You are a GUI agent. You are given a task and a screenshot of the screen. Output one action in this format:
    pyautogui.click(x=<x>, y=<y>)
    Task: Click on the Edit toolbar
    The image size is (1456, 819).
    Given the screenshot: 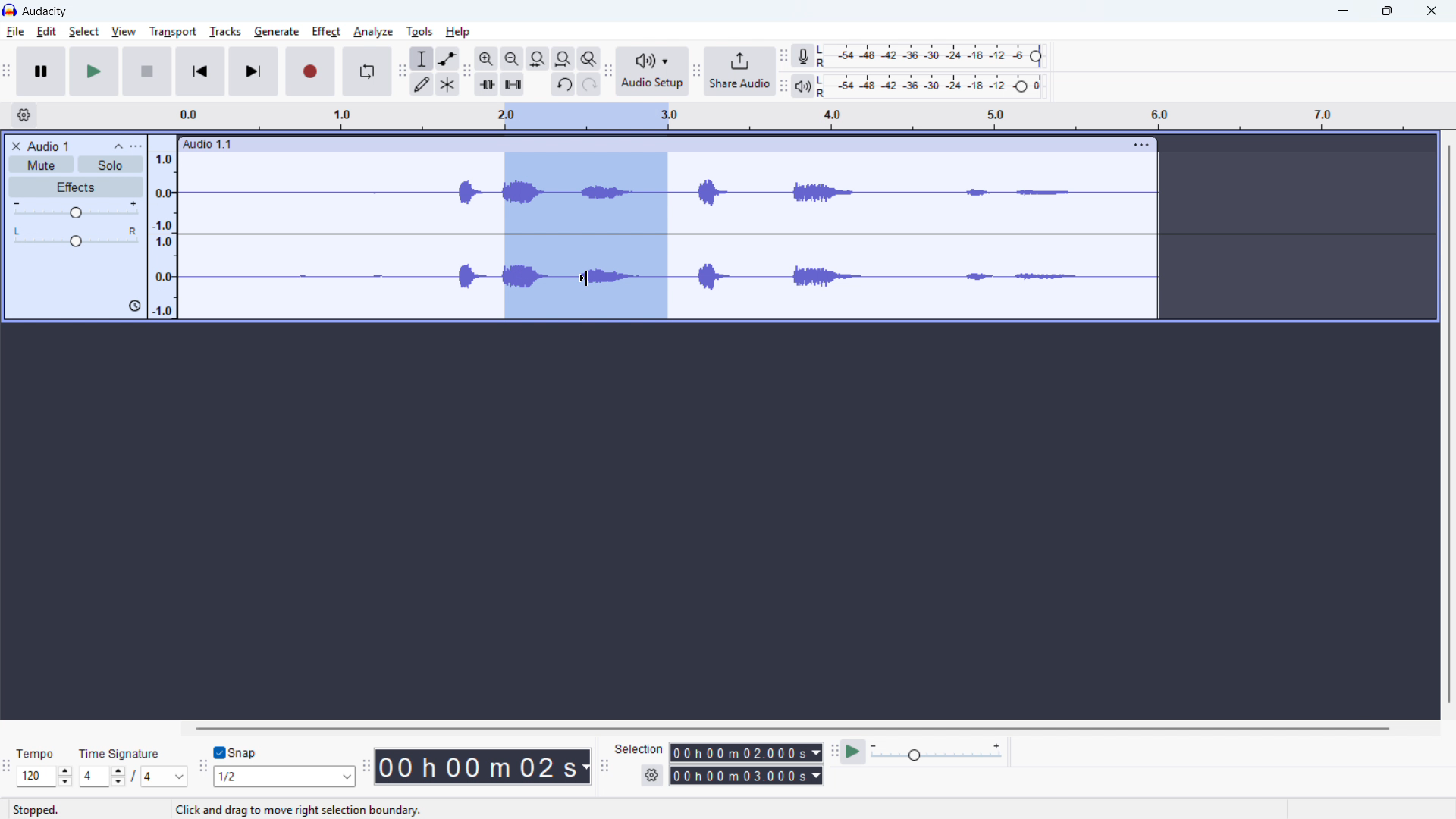 What is the action you would take?
    pyautogui.click(x=467, y=73)
    